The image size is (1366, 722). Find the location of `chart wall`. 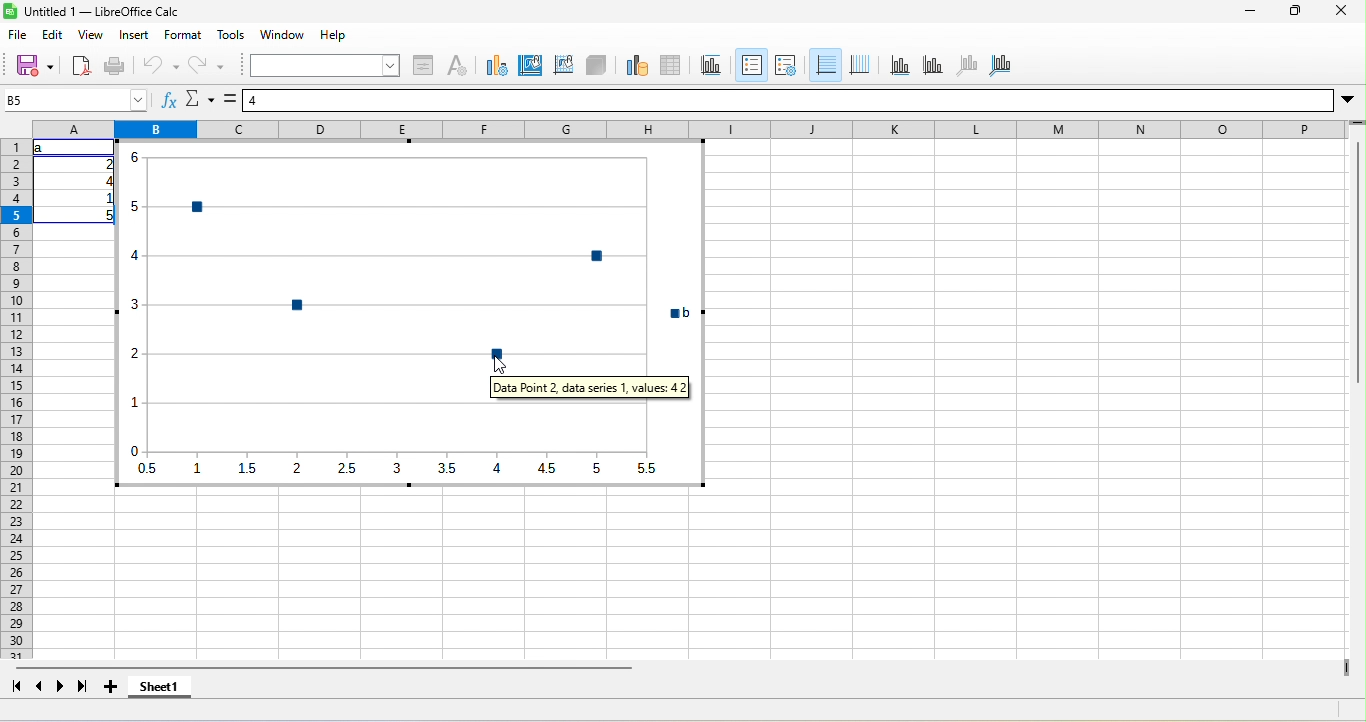

chart wall is located at coordinates (564, 67).